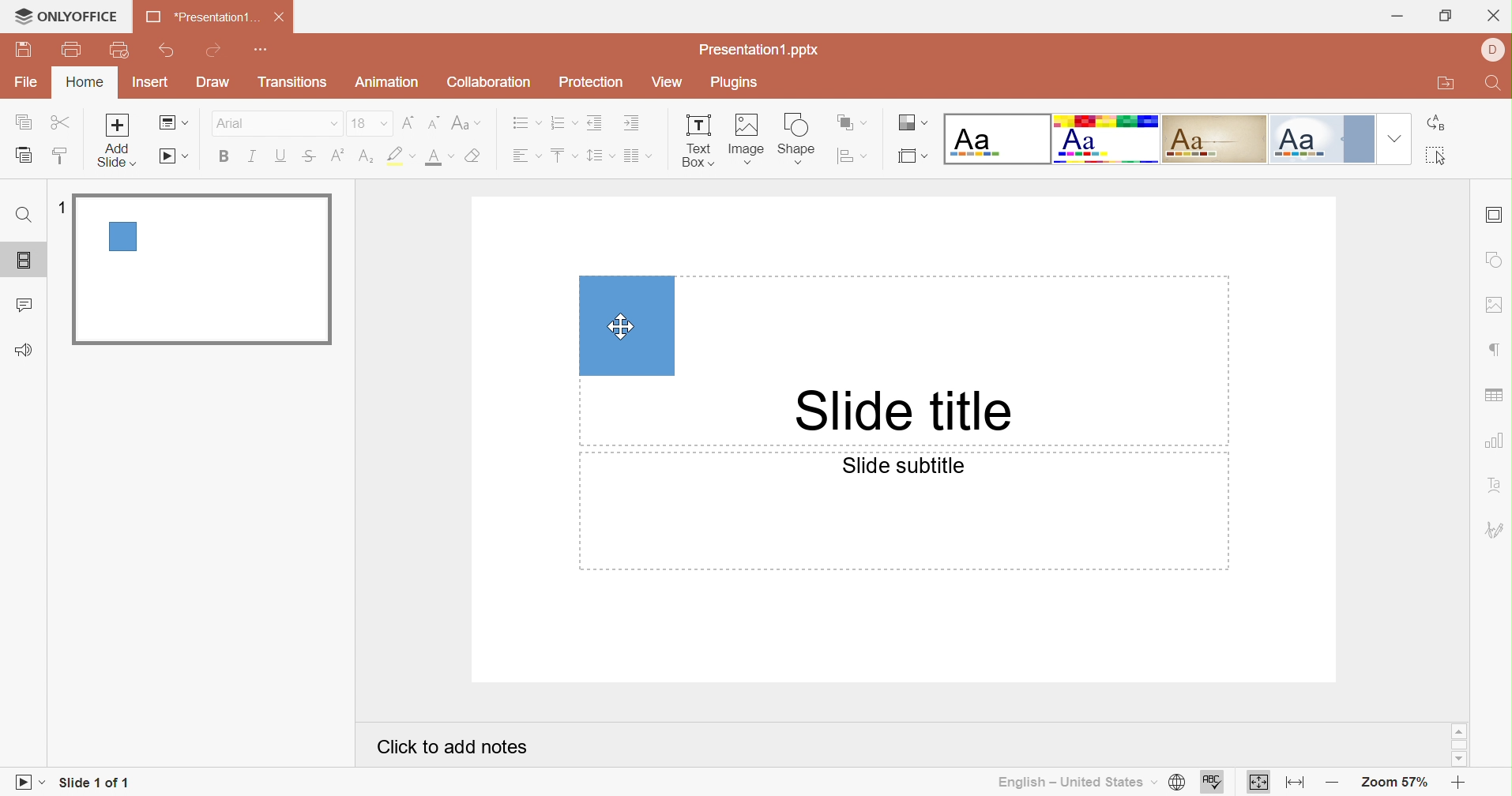 The height and width of the screenshot is (796, 1512). What do you see at coordinates (408, 125) in the screenshot?
I see `Increment font size` at bounding box center [408, 125].